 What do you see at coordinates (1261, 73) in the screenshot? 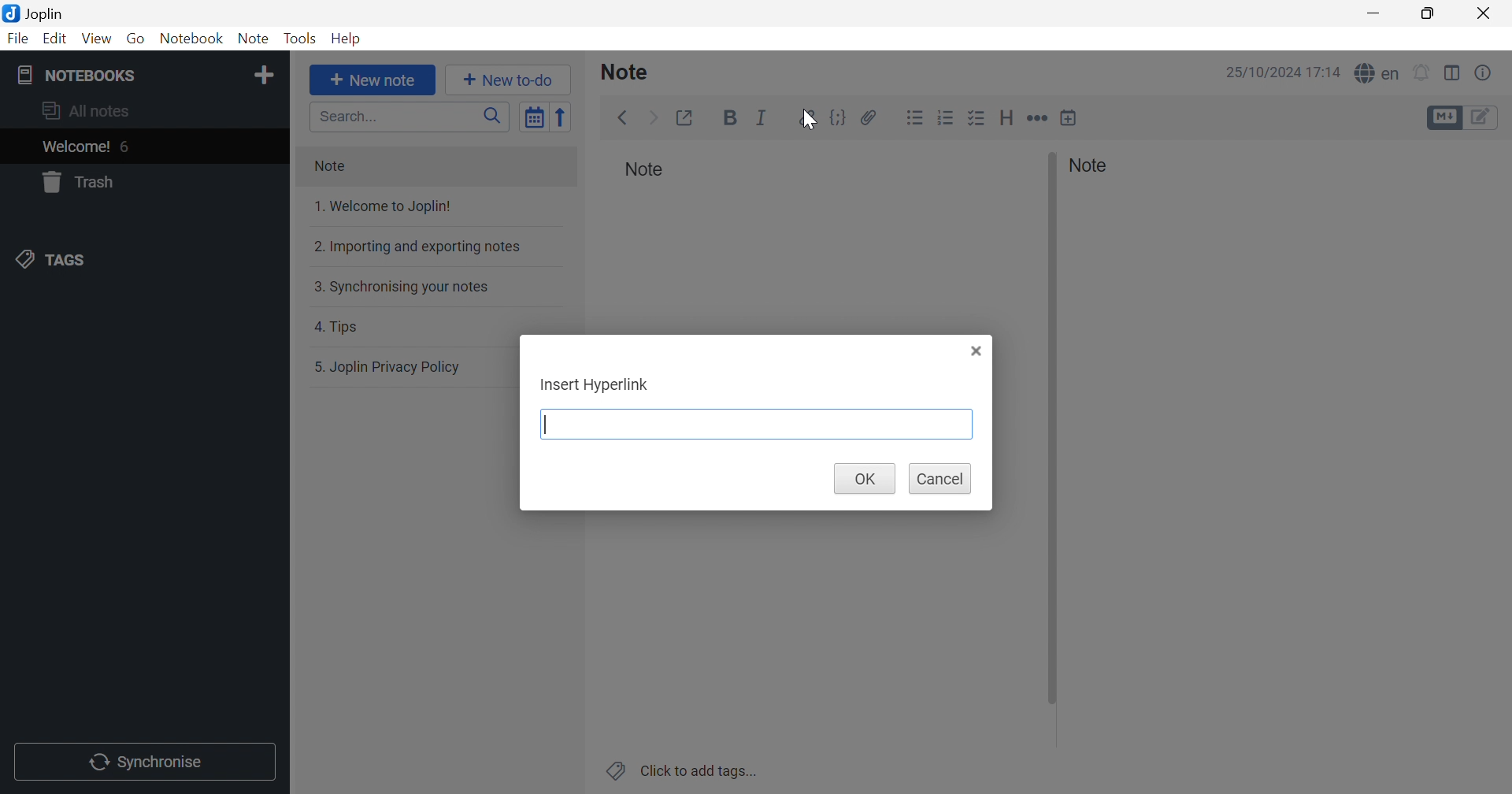
I see `25/10/2024` at bounding box center [1261, 73].